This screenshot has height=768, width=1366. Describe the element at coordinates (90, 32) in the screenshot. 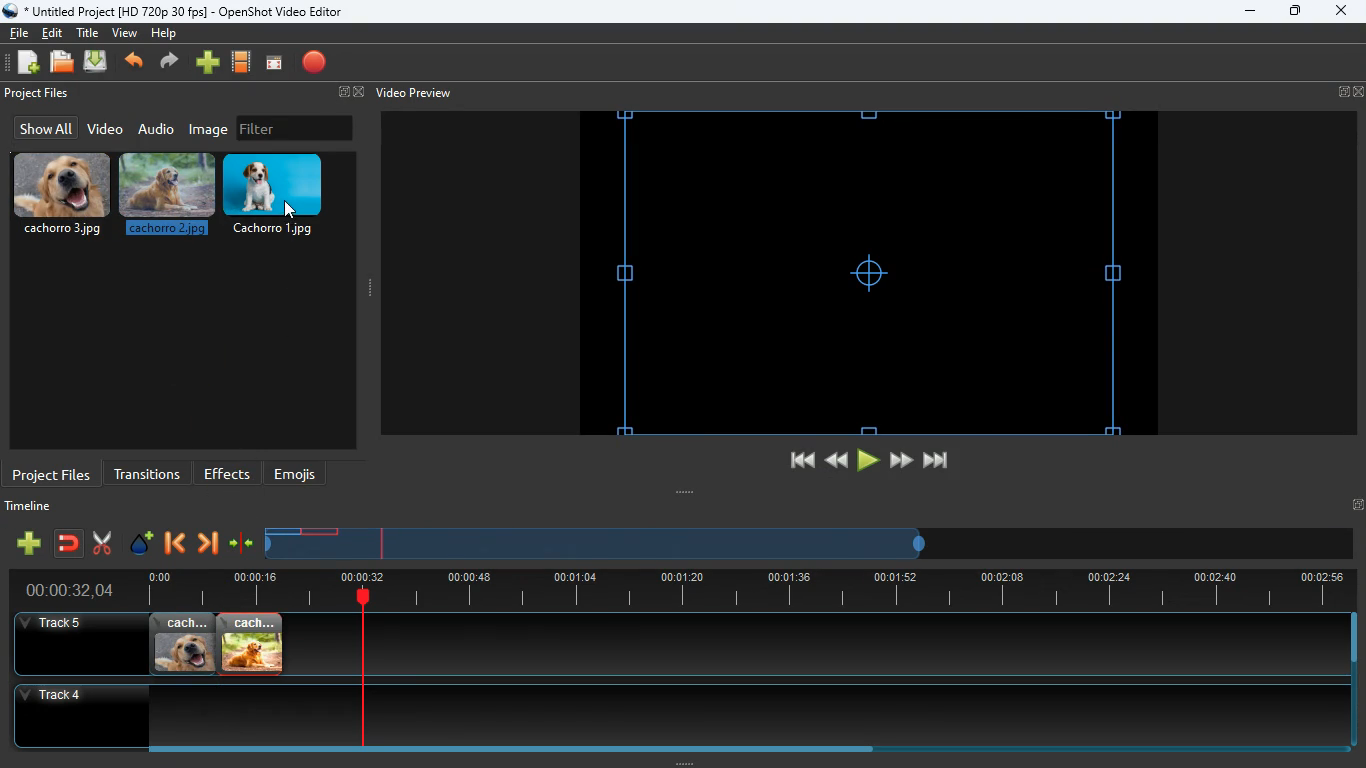

I see `title` at that location.